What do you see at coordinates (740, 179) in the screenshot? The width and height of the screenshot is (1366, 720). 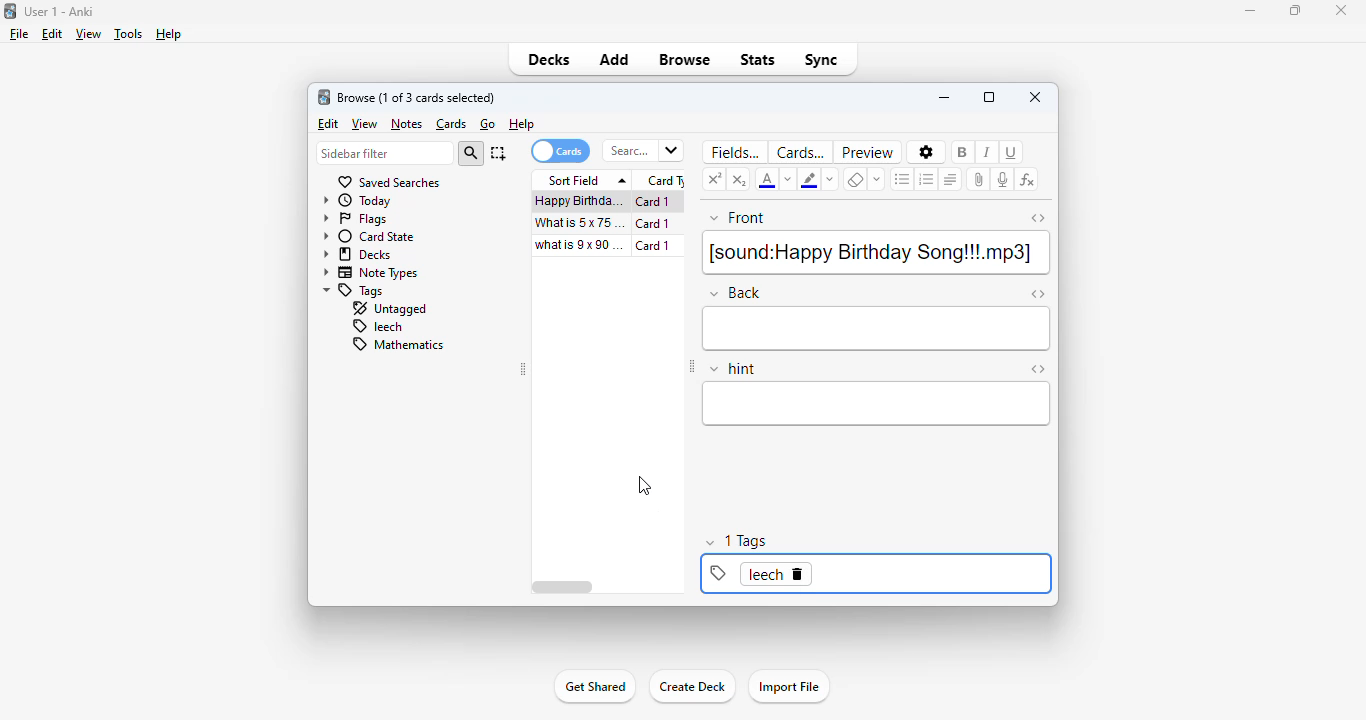 I see `subscript` at bounding box center [740, 179].